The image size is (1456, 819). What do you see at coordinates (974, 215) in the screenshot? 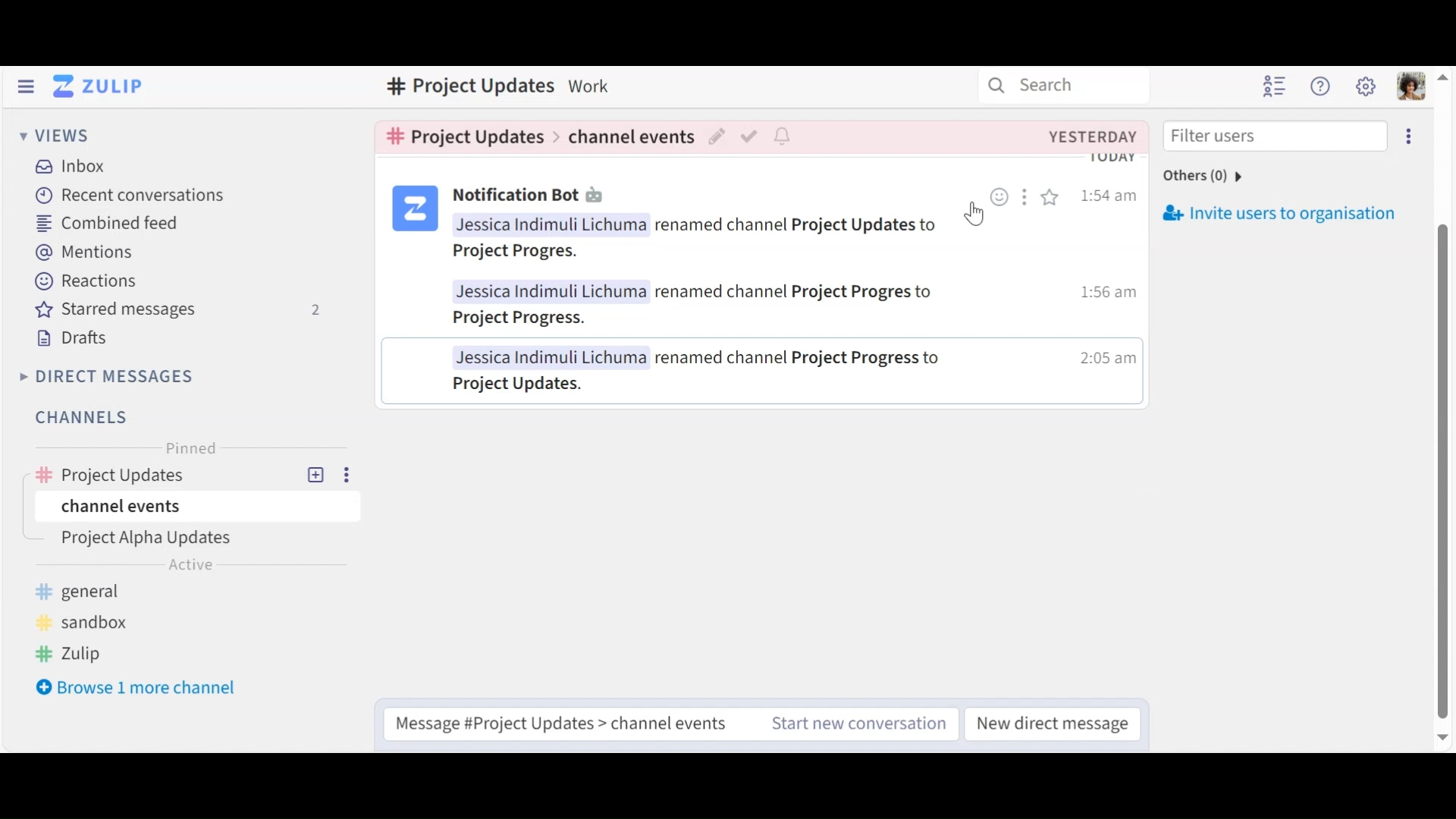
I see `cursor` at bounding box center [974, 215].